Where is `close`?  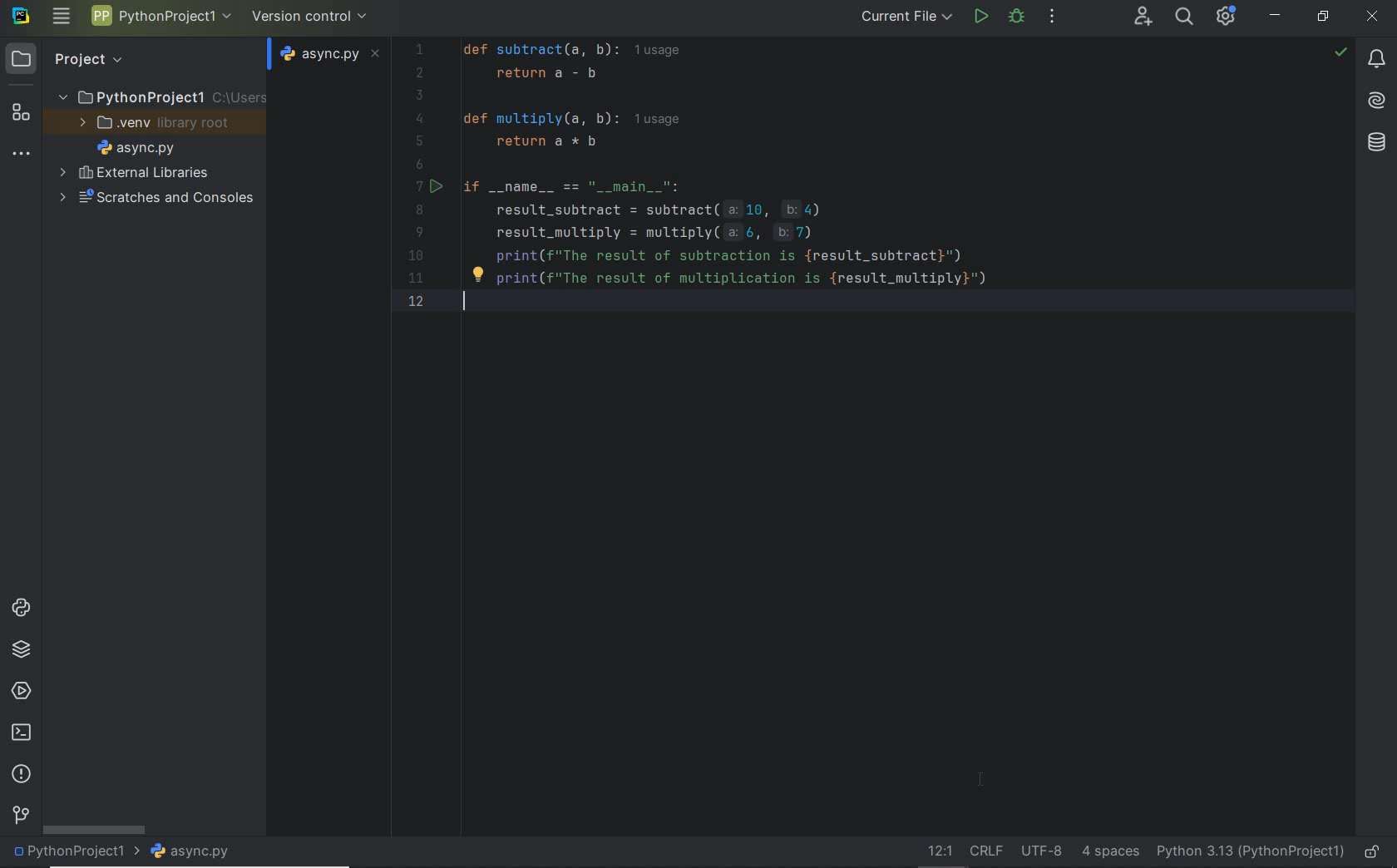 close is located at coordinates (1375, 18).